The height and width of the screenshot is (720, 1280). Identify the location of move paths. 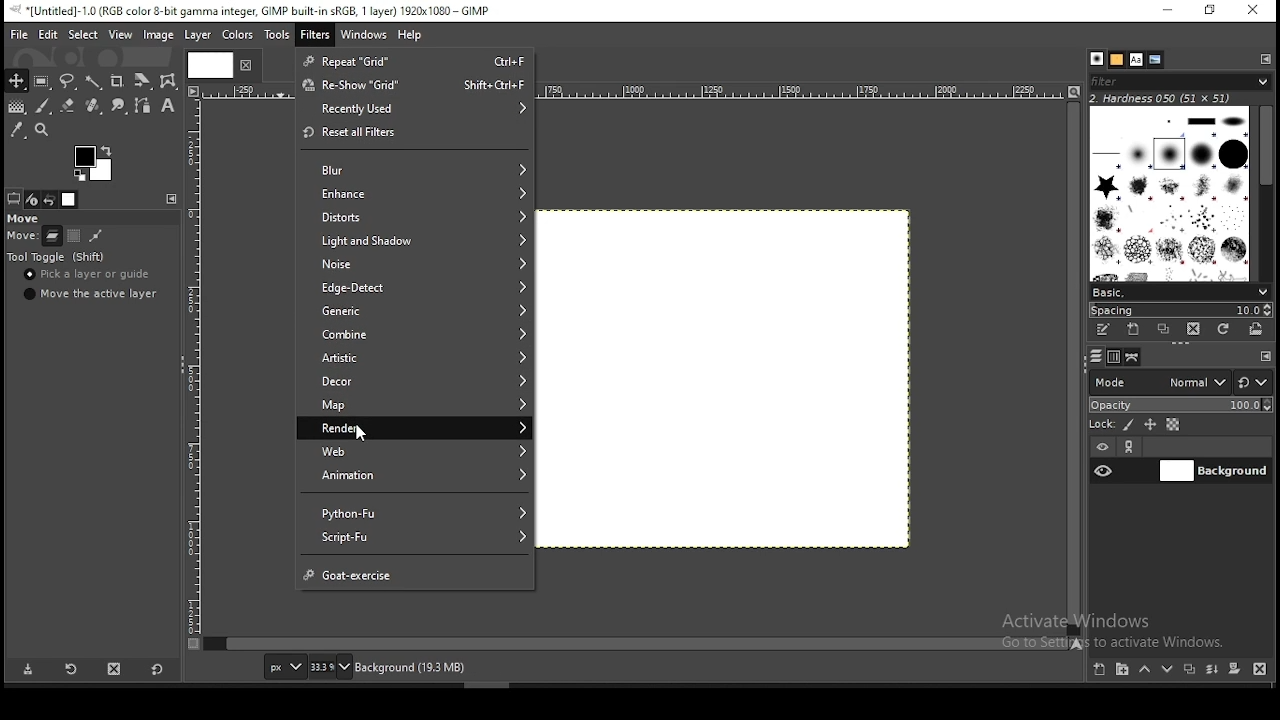
(95, 237).